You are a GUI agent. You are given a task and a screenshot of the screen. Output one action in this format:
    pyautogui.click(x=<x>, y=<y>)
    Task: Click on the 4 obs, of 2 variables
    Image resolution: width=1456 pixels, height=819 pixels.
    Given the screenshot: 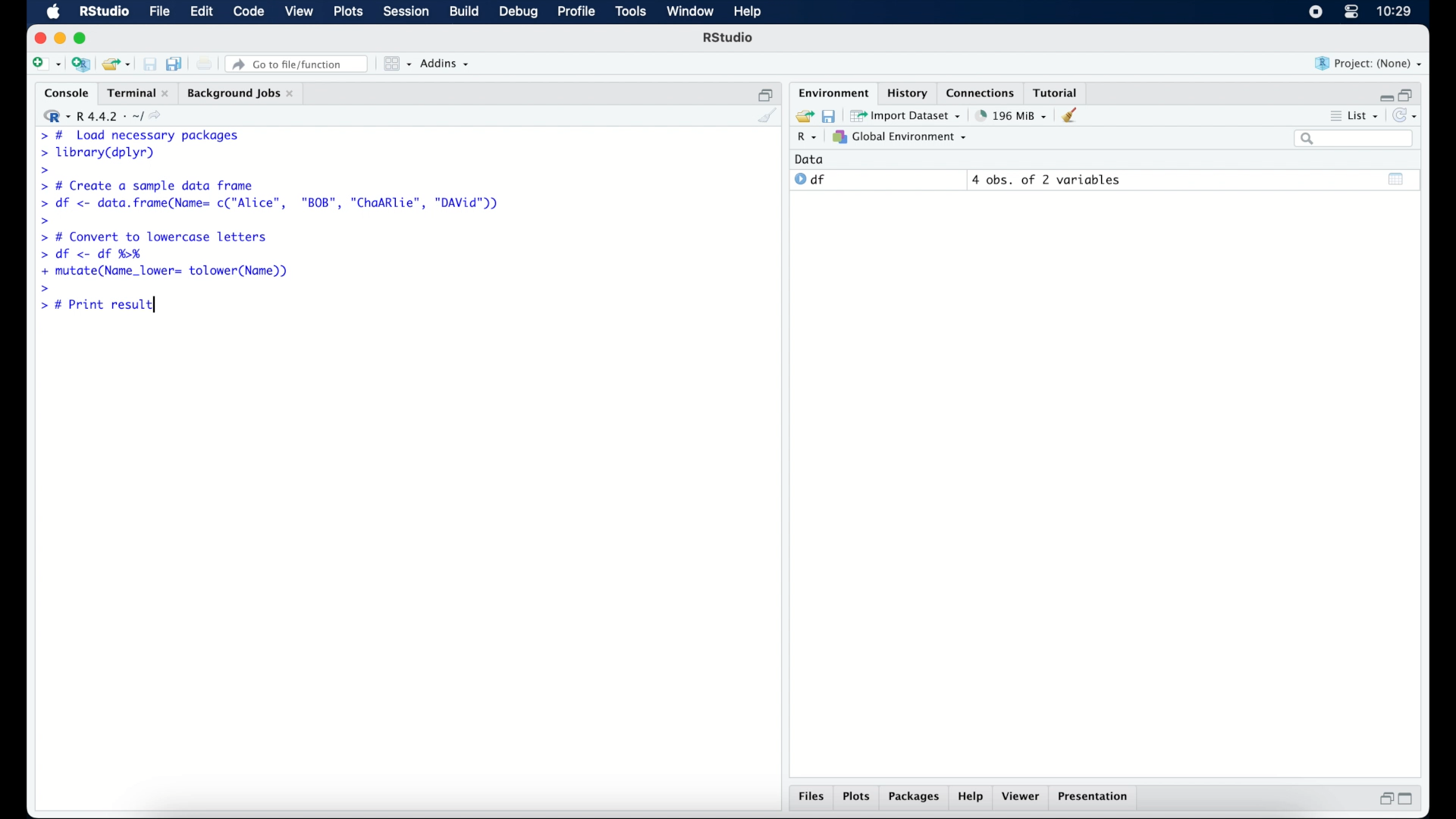 What is the action you would take?
    pyautogui.click(x=1046, y=180)
    